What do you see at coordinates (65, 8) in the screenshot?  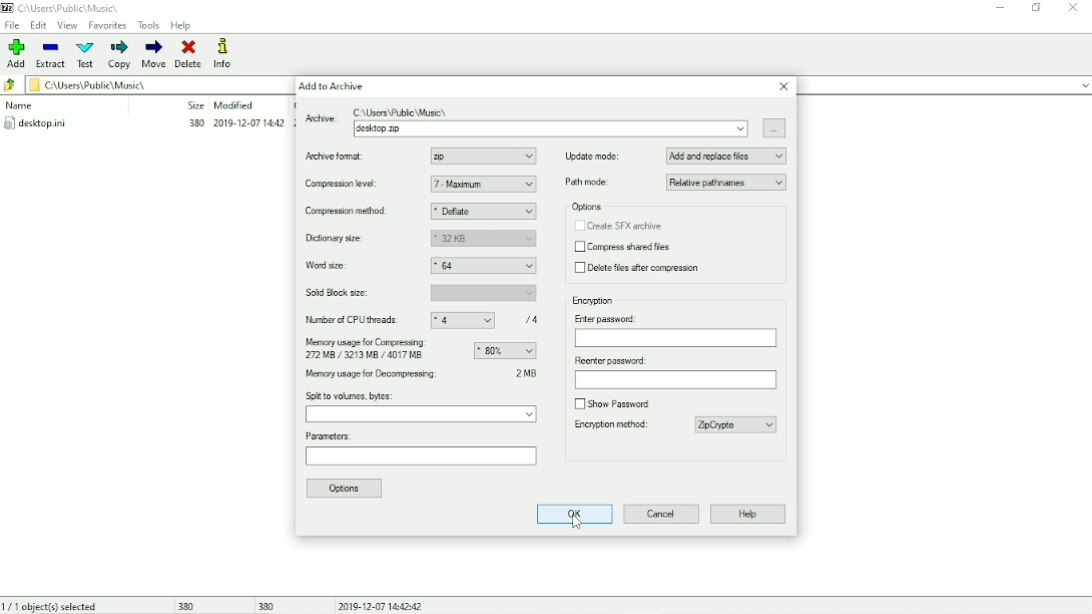 I see `Location` at bounding box center [65, 8].